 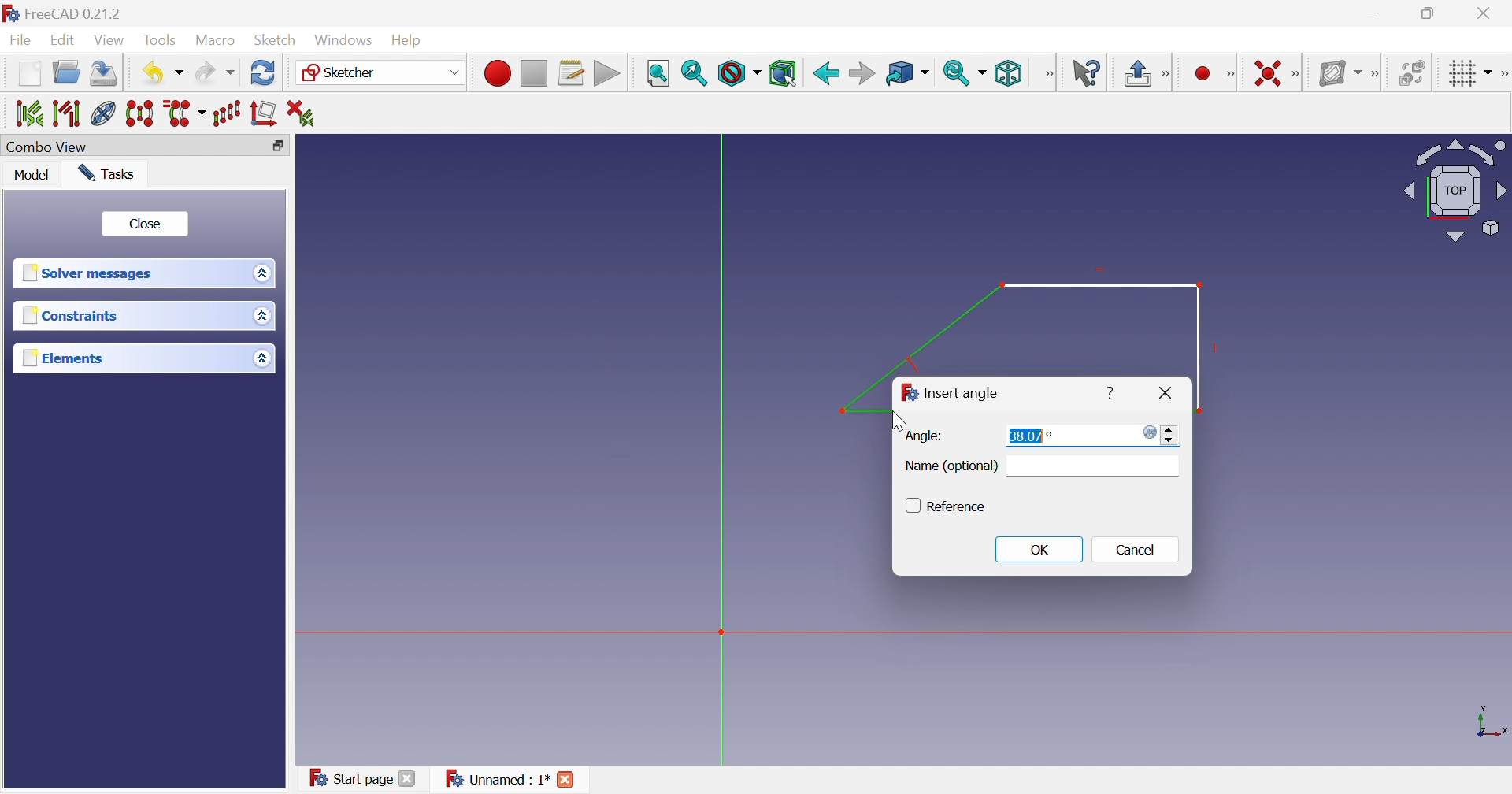 What do you see at coordinates (957, 73) in the screenshot?
I see `Sync view` at bounding box center [957, 73].